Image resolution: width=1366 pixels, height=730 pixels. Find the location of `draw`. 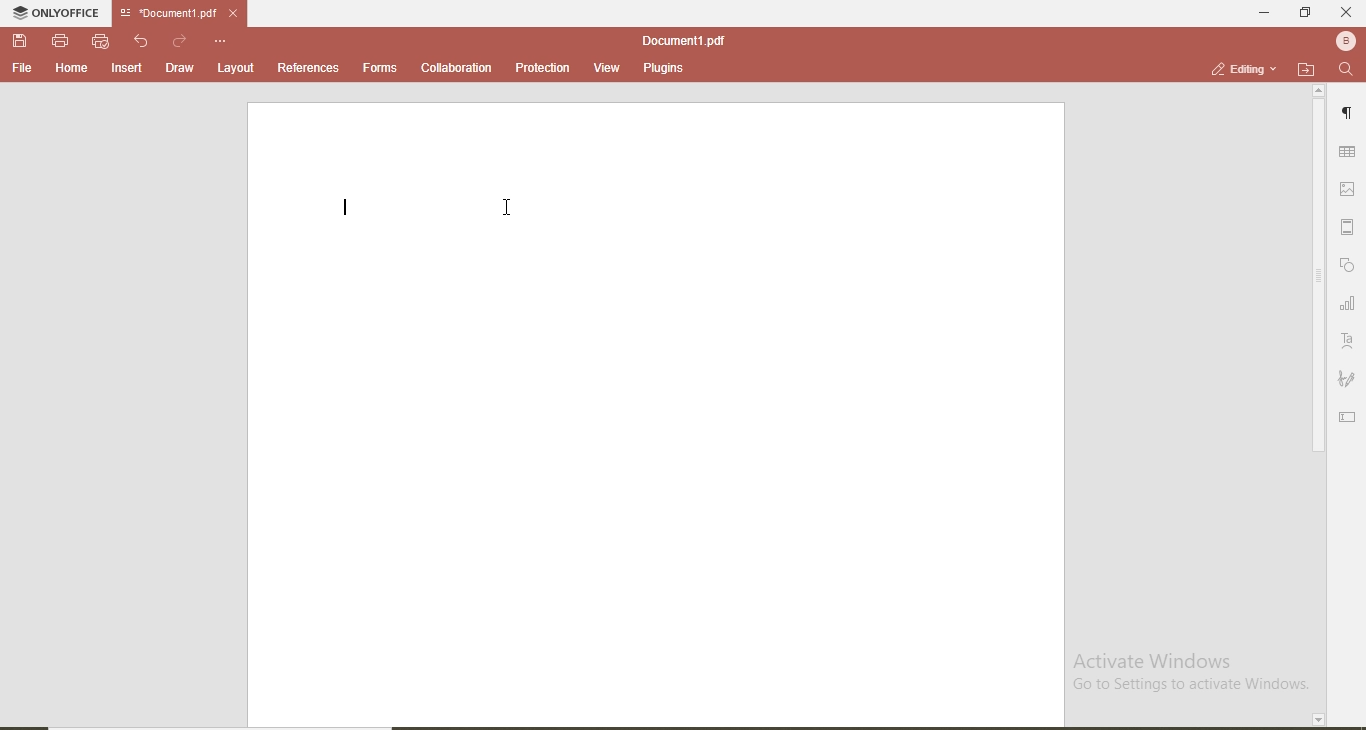

draw is located at coordinates (178, 70).